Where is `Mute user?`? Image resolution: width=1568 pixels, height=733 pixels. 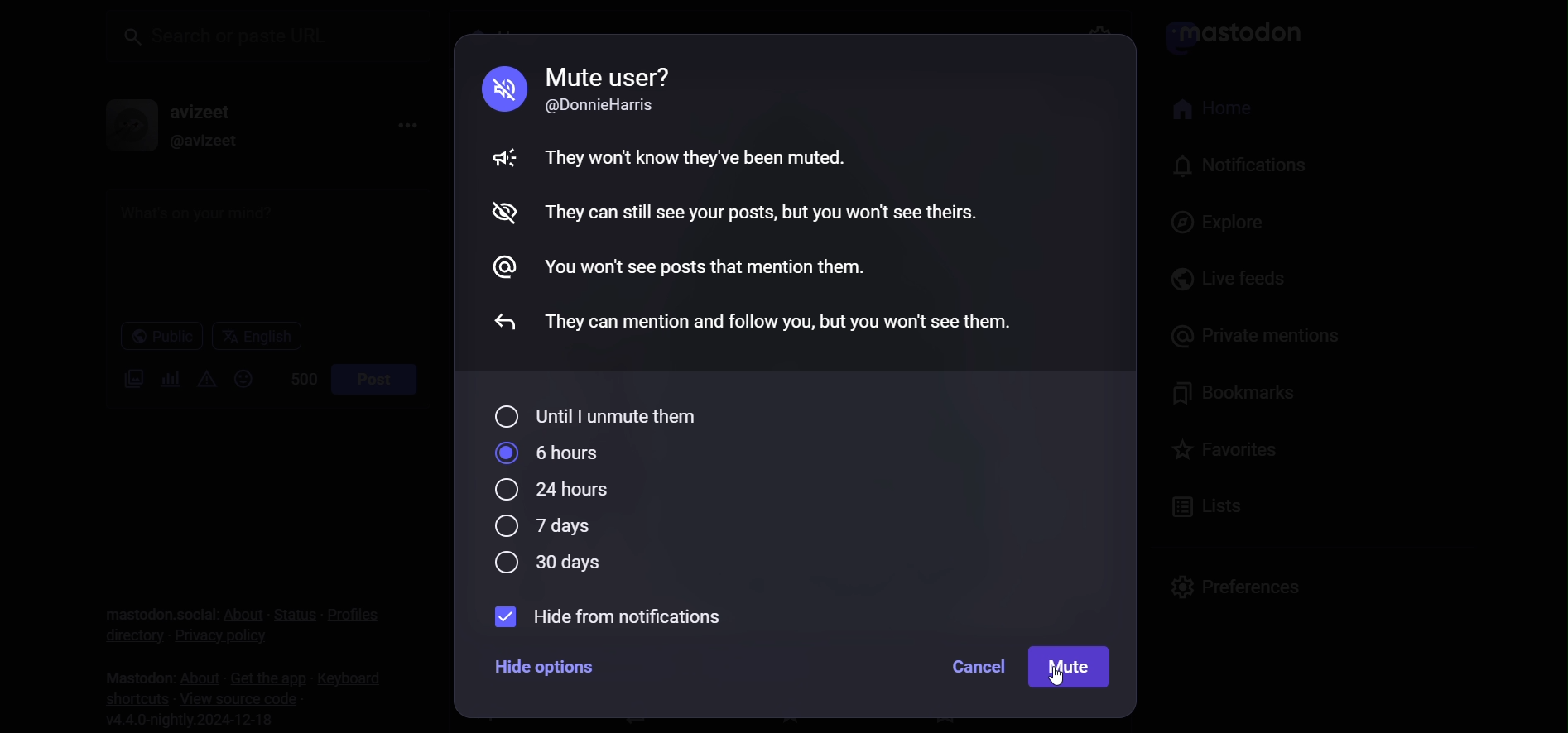 Mute user? is located at coordinates (609, 75).